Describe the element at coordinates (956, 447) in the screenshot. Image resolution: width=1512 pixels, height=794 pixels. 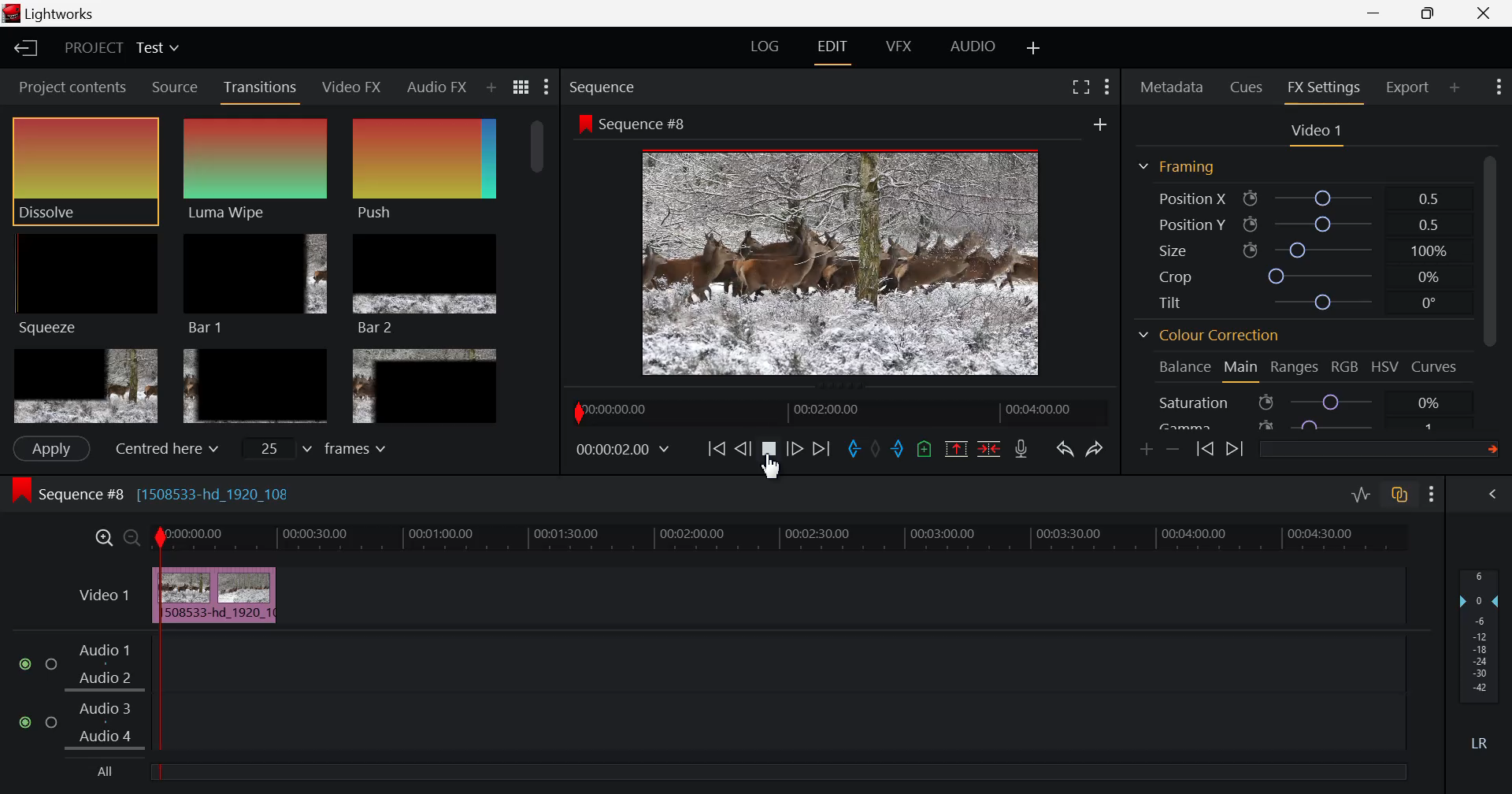
I see `Remove the marked section` at that location.